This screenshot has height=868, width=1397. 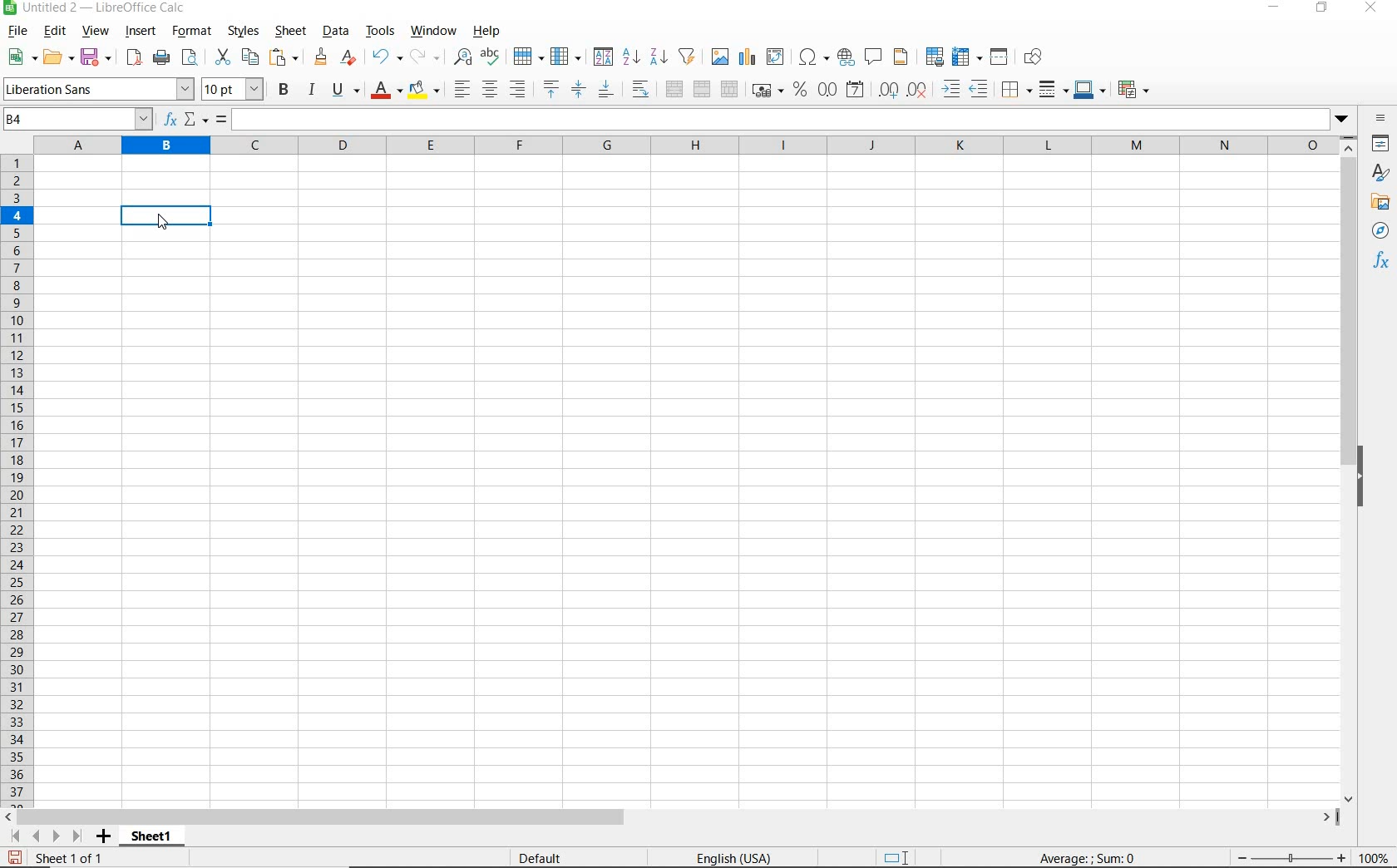 What do you see at coordinates (846, 57) in the screenshot?
I see `insert hyperlink` at bounding box center [846, 57].